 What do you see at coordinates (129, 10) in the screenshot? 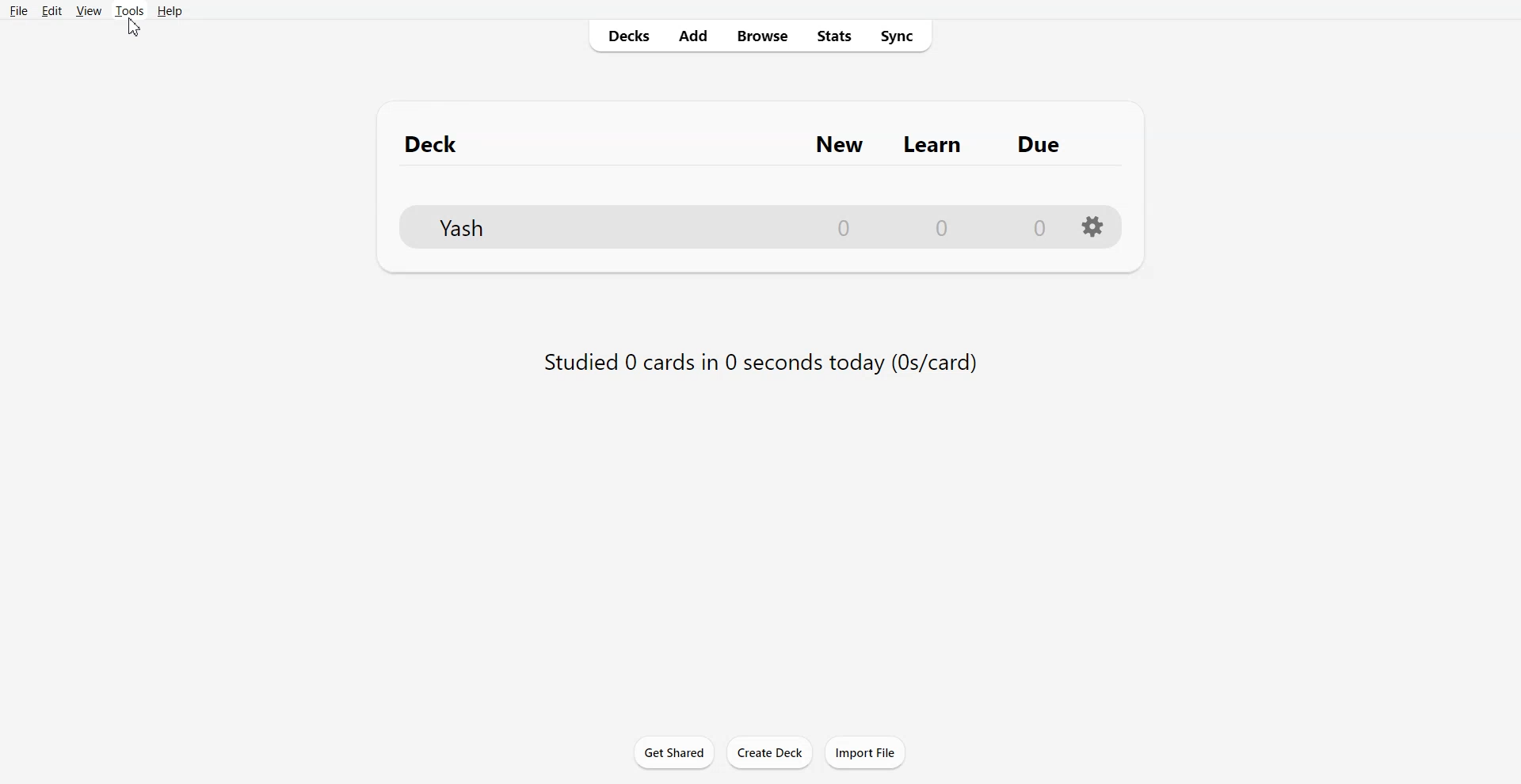
I see `Tools` at bounding box center [129, 10].